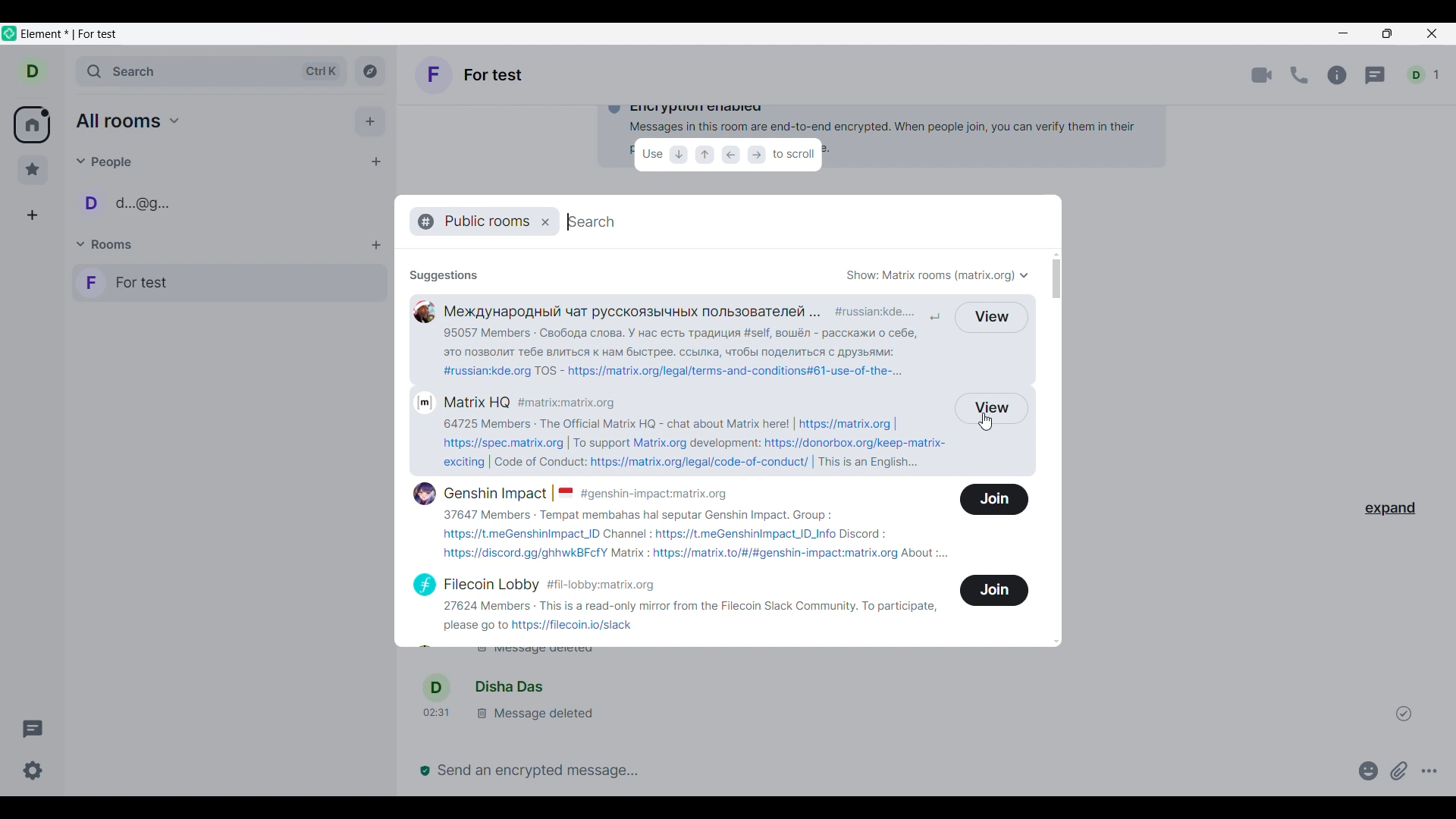 The width and height of the screenshot is (1456, 819). Describe the element at coordinates (1432, 33) in the screenshot. I see `Close interface` at that location.